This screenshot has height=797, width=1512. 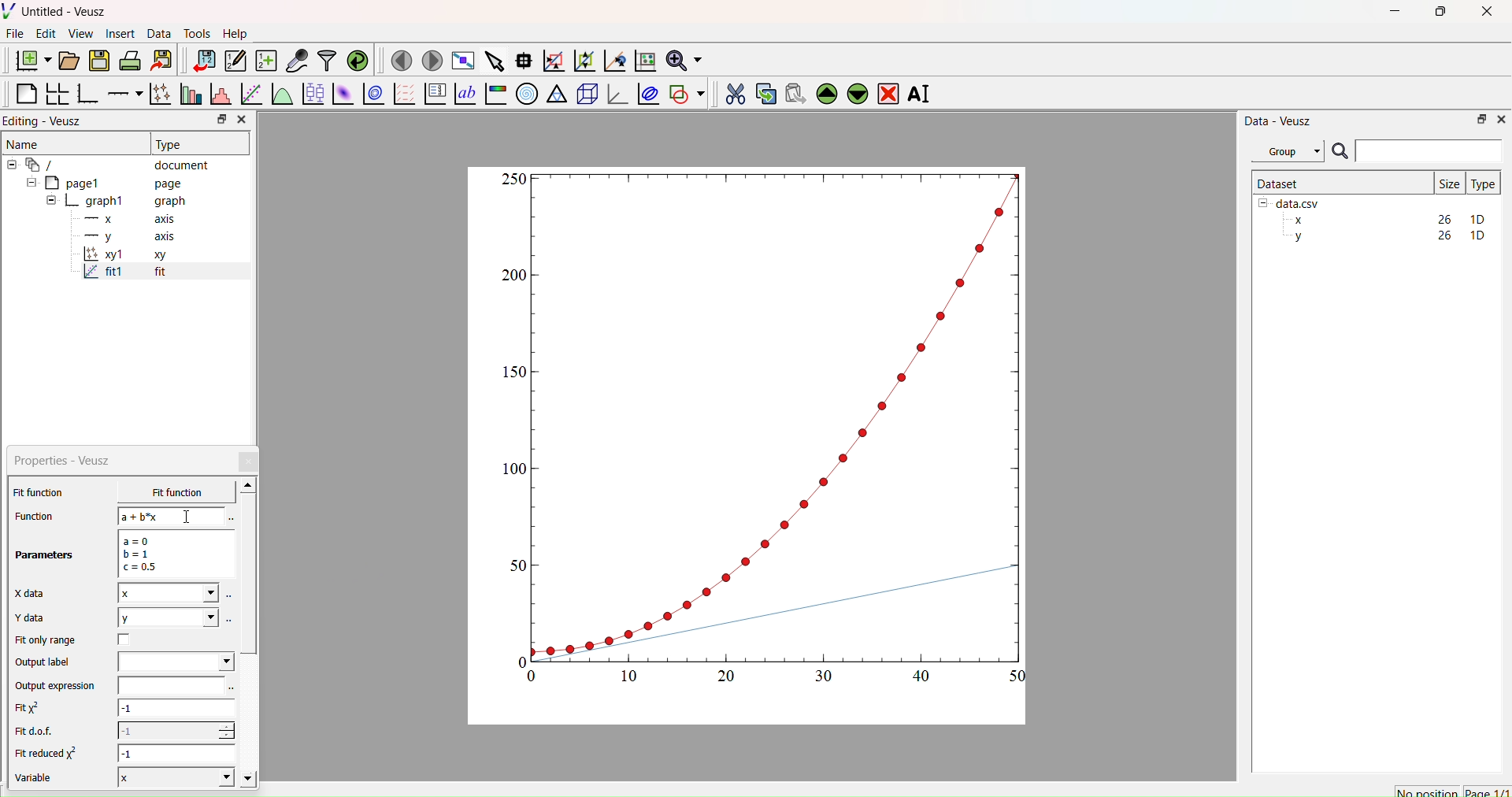 What do you see at coordinates (114, 164) in the screenshot?
I see `document` at bounding box center [114, 164].